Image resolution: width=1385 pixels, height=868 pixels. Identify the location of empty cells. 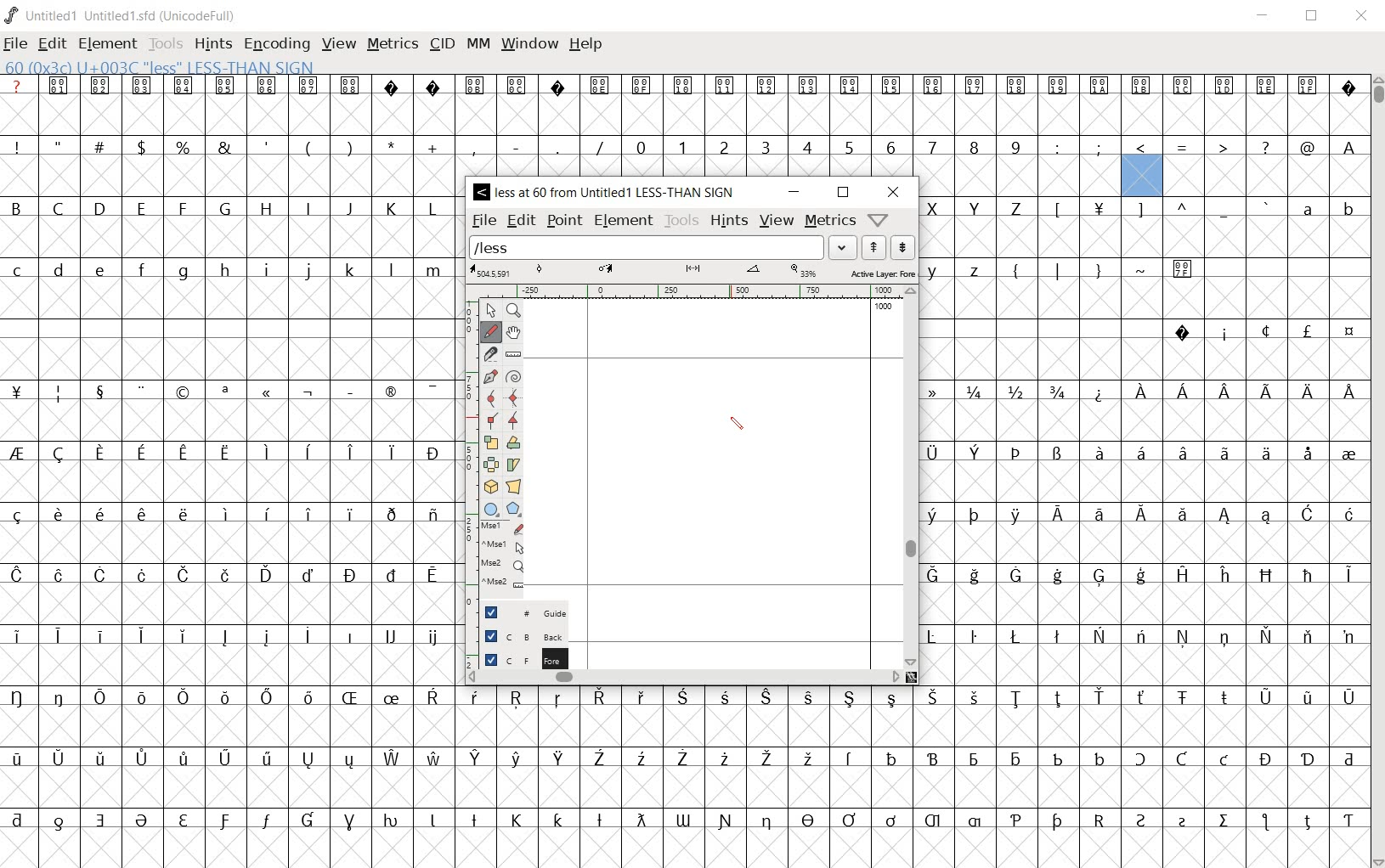
(1142, 359).